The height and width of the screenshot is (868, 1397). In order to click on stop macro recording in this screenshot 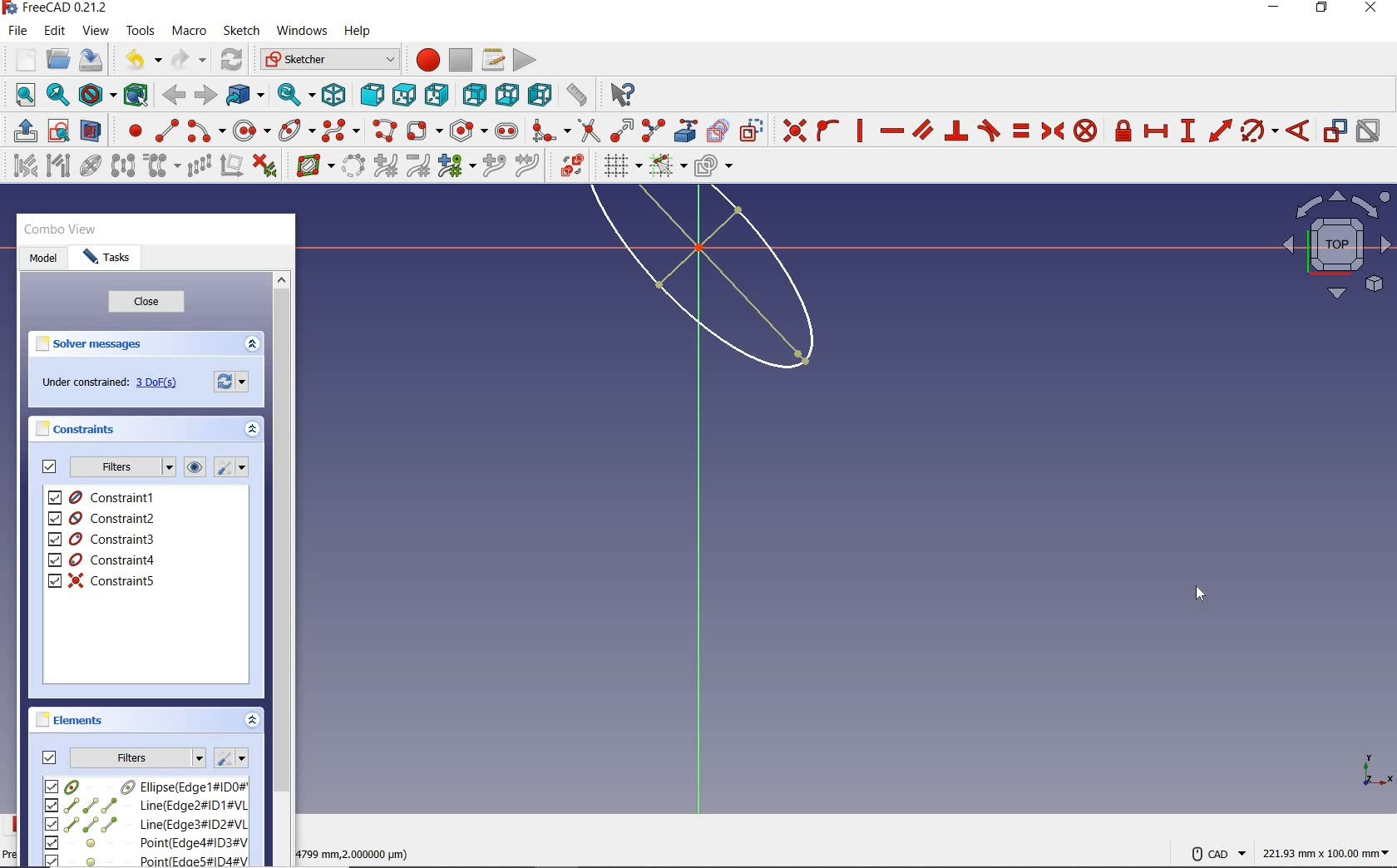, I will do `click(462, 59)`.